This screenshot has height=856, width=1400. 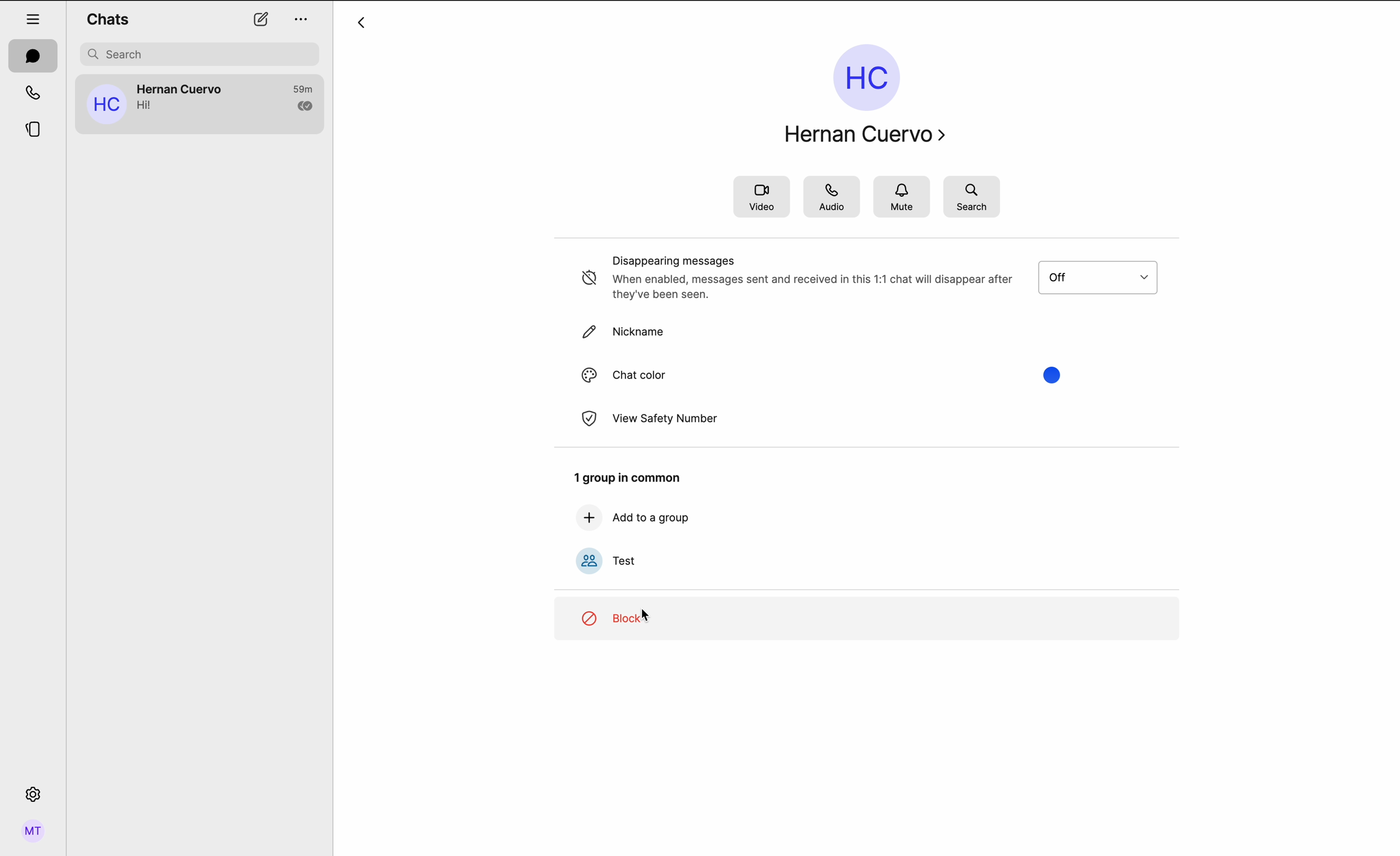 I want to click on stories, so click(x=35, y=131).